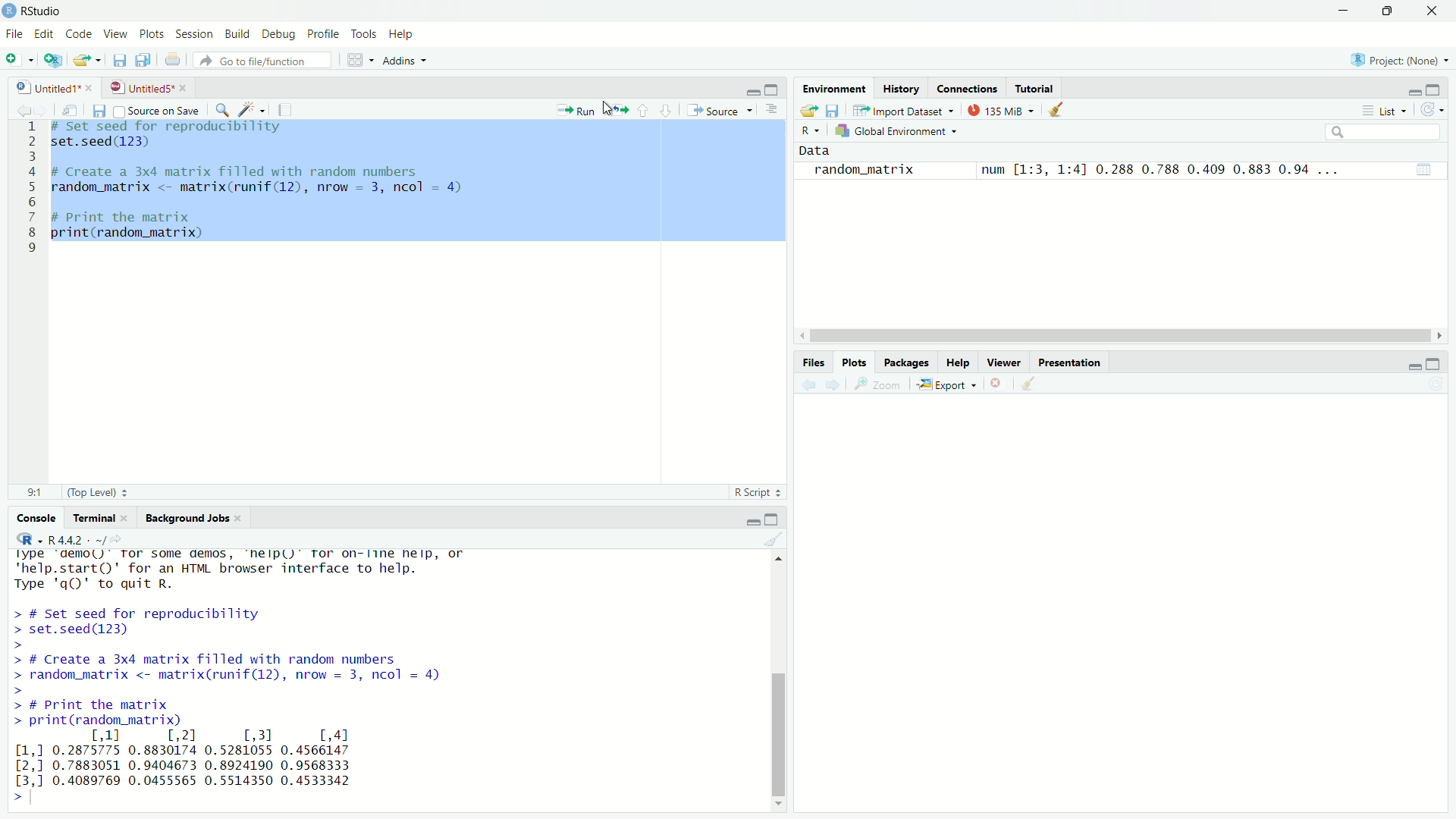 The height and width of the screenshot is (819, 1456). What do you see at coordinates (77, 538) in the screenshot?
I see `, R442 - -` at bounding box center [77, 538].